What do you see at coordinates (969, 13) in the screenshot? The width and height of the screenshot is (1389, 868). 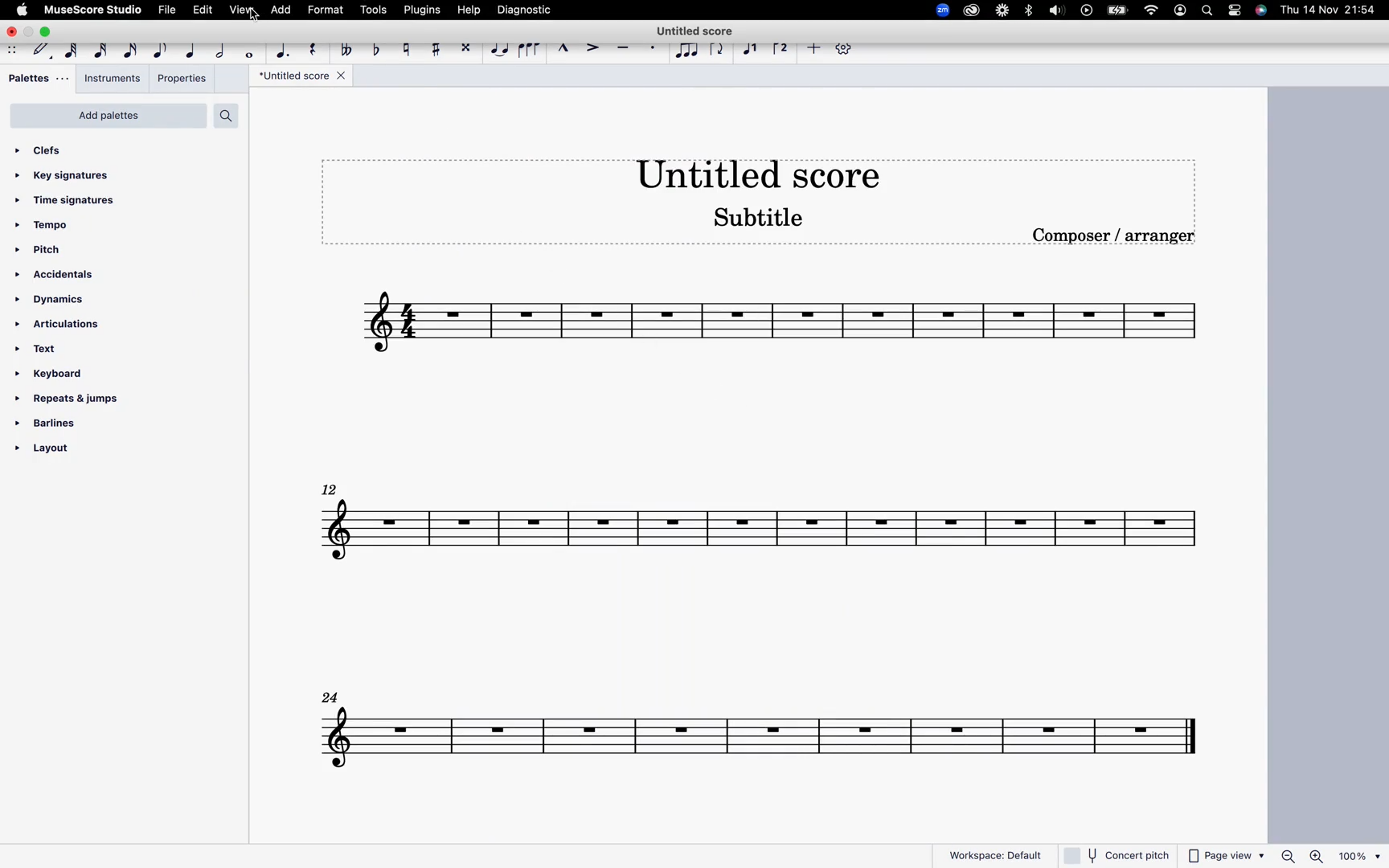 I see `creative cloud` at bounding box center [969, 13].